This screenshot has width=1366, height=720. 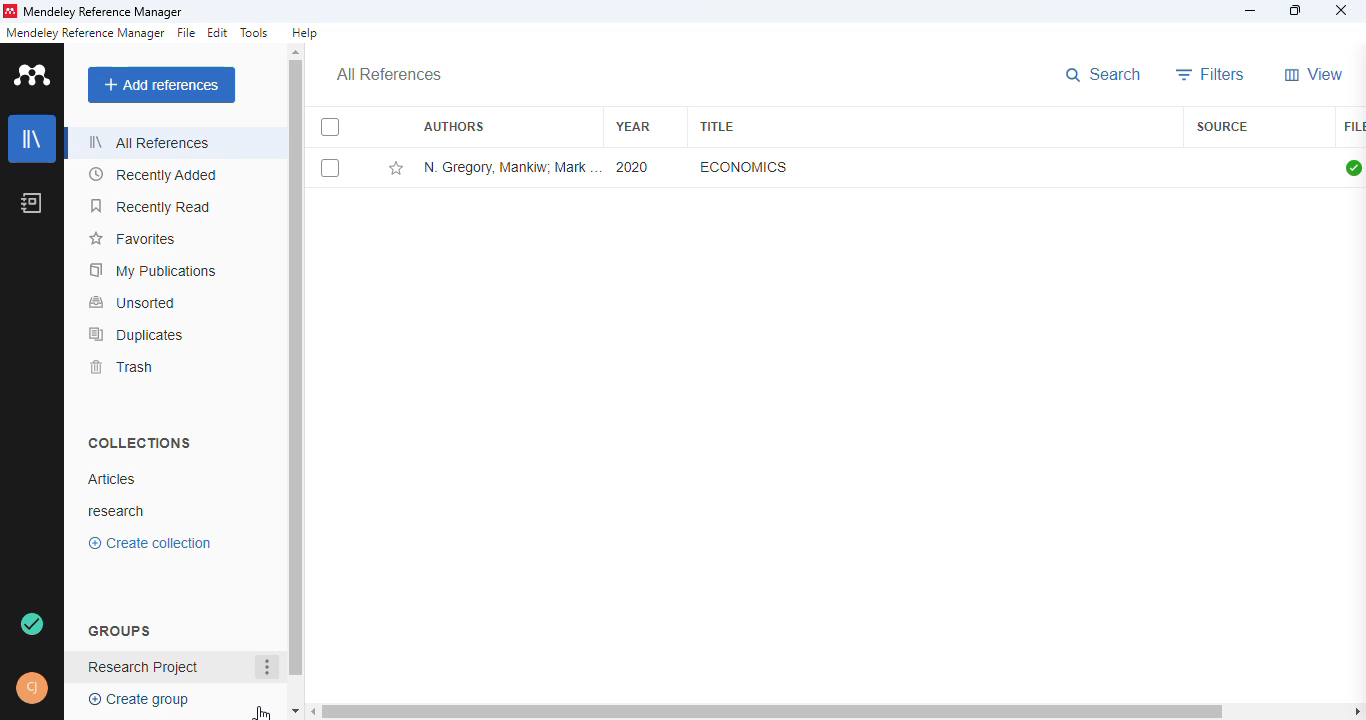 What do you see at coordinates (134, 239) in the screenshot?
I see `favorites` at bounding box center [134, 239].